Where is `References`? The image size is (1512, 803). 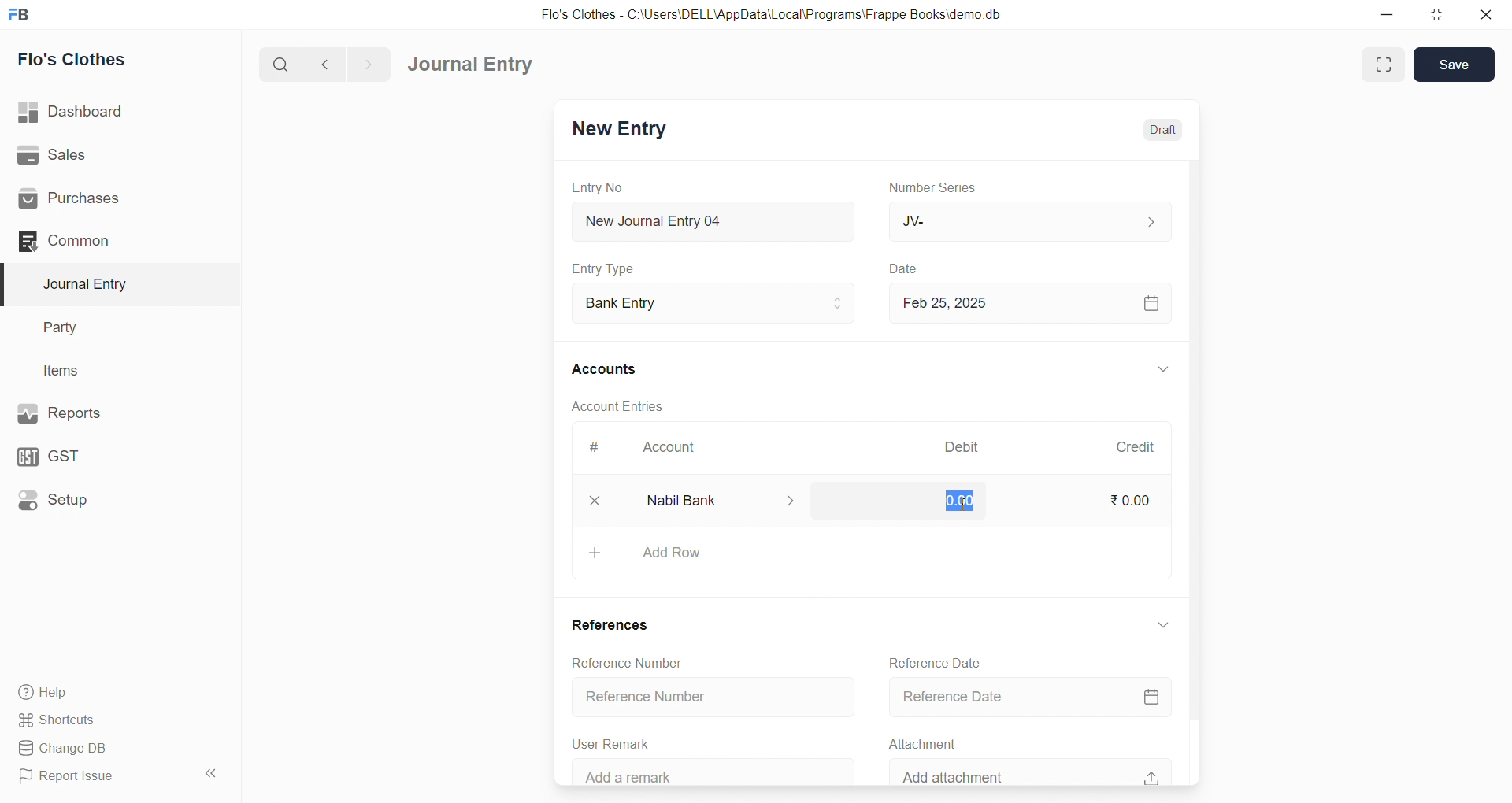
References is located at coordinates (603, 624).